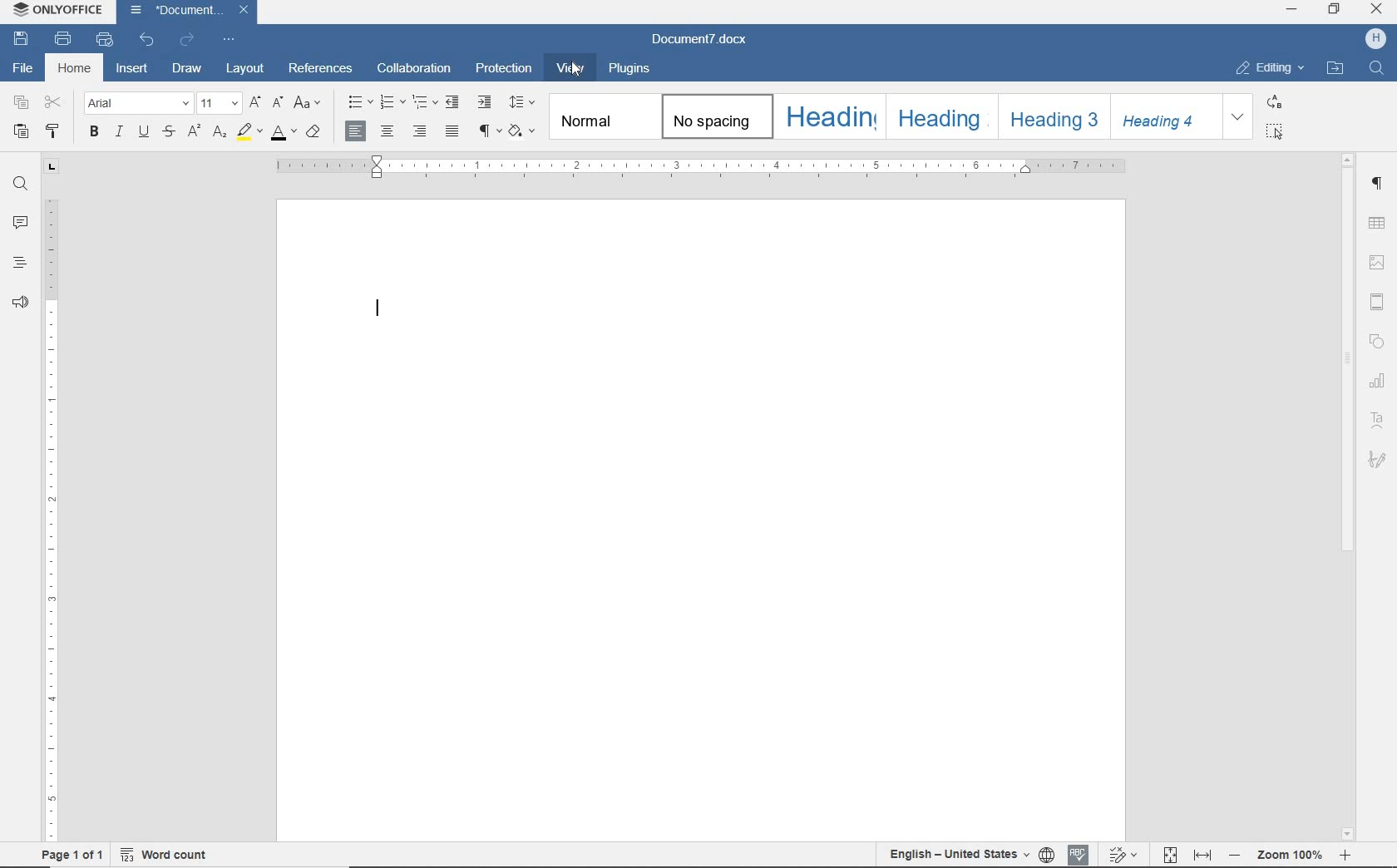  Describe the element at coordinates (1378, 459) in the screenshot. I see `SIGNATURE` at that location.